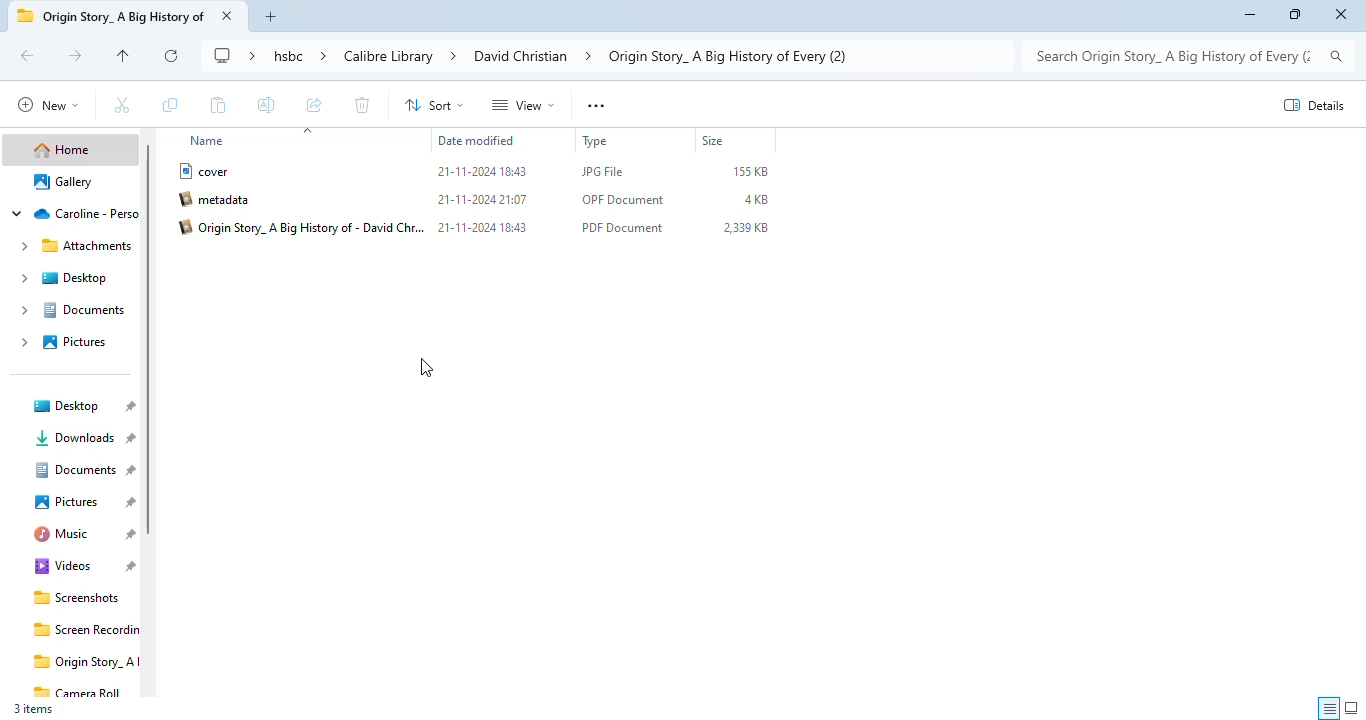  Describe the element at coordinates (1313, 104) in the screenshot. I see `details` at that location.